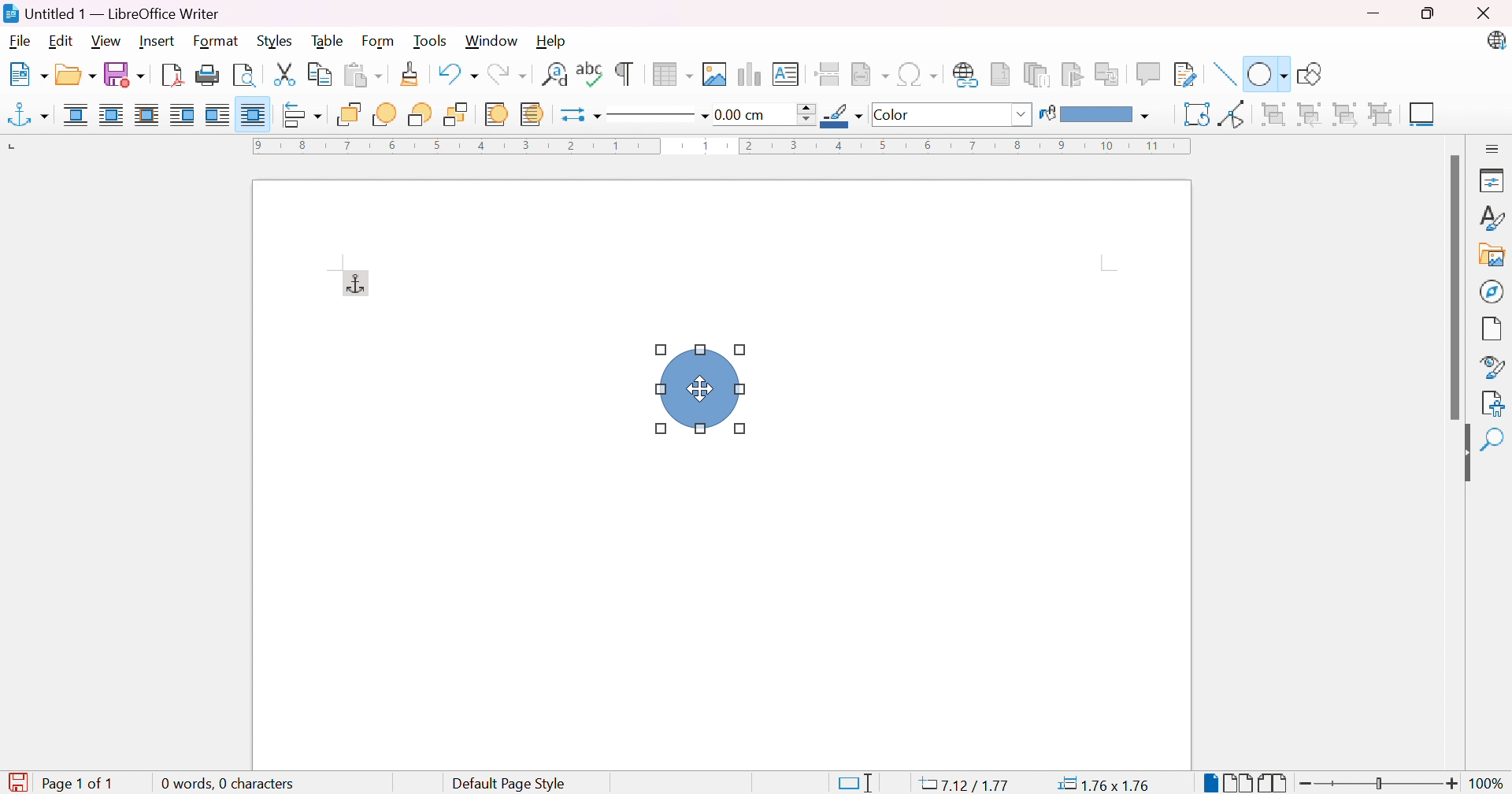 The image size is (1512, 794). Describe the element at coordinates (111, 115) in the screenshot. I see `Parallel` at that location.